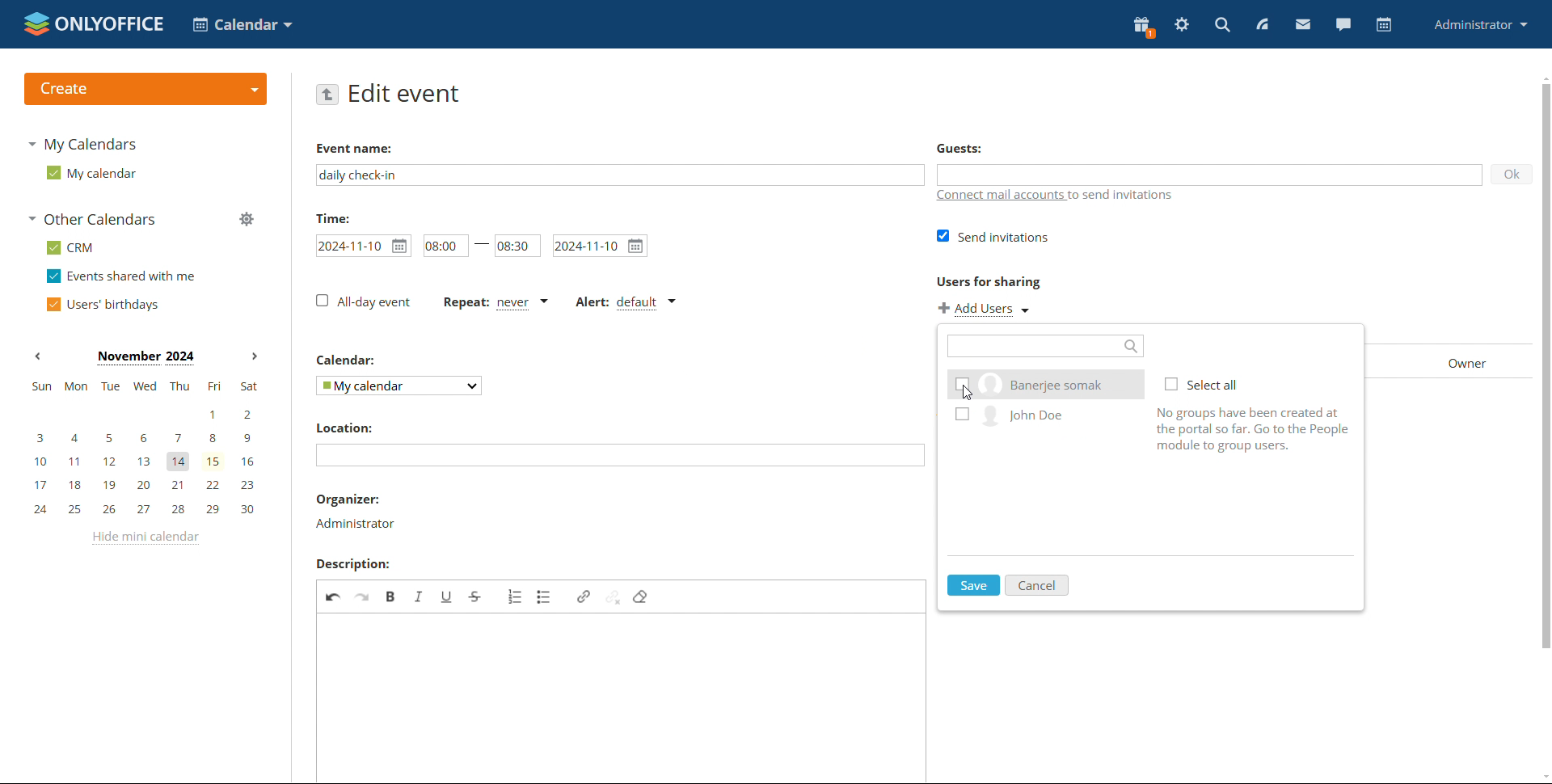  I want to click on end time, so click(517, 243).